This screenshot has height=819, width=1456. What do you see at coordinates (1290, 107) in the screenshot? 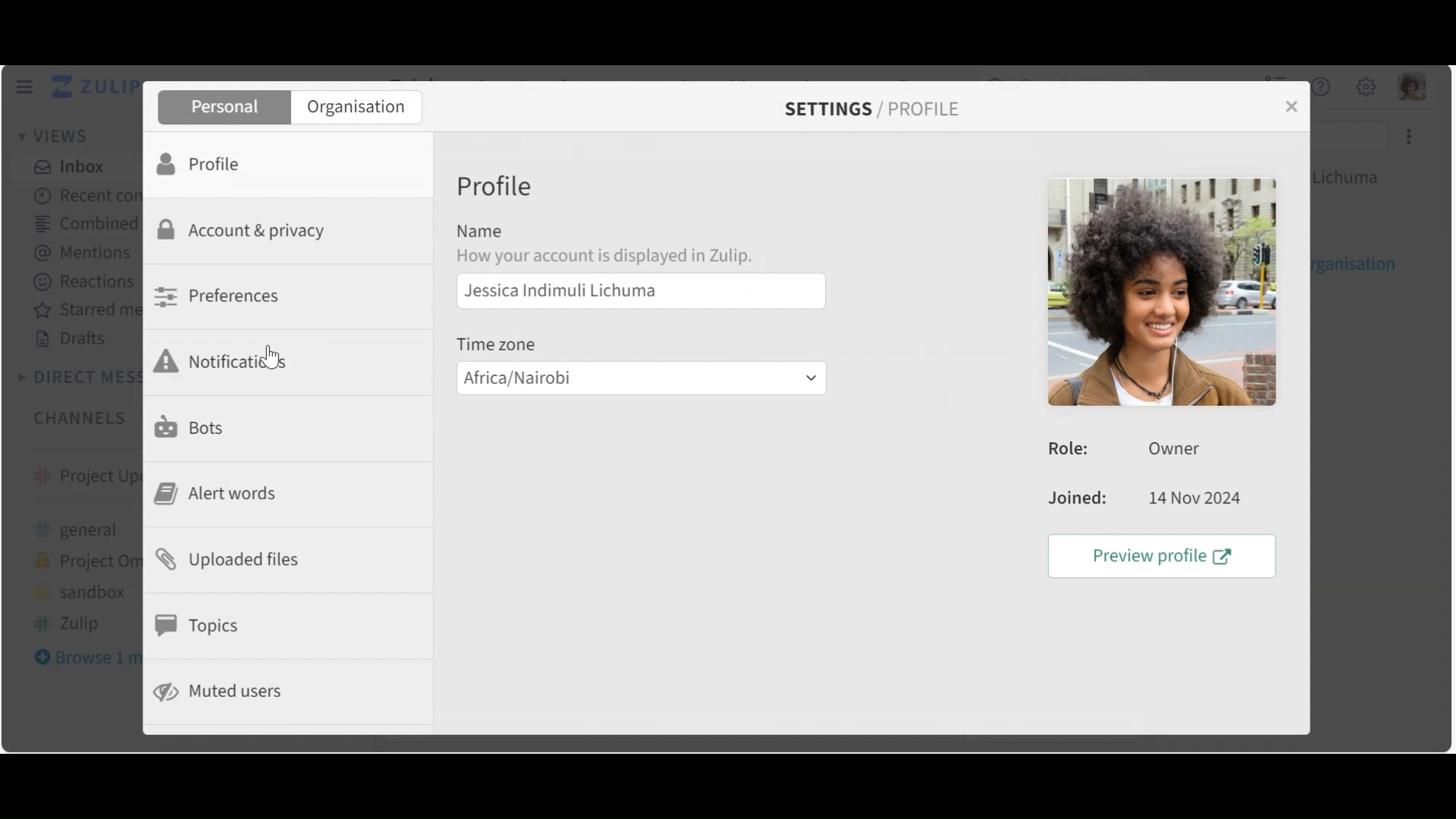
I see `close` at bounding box center [1290, 107].